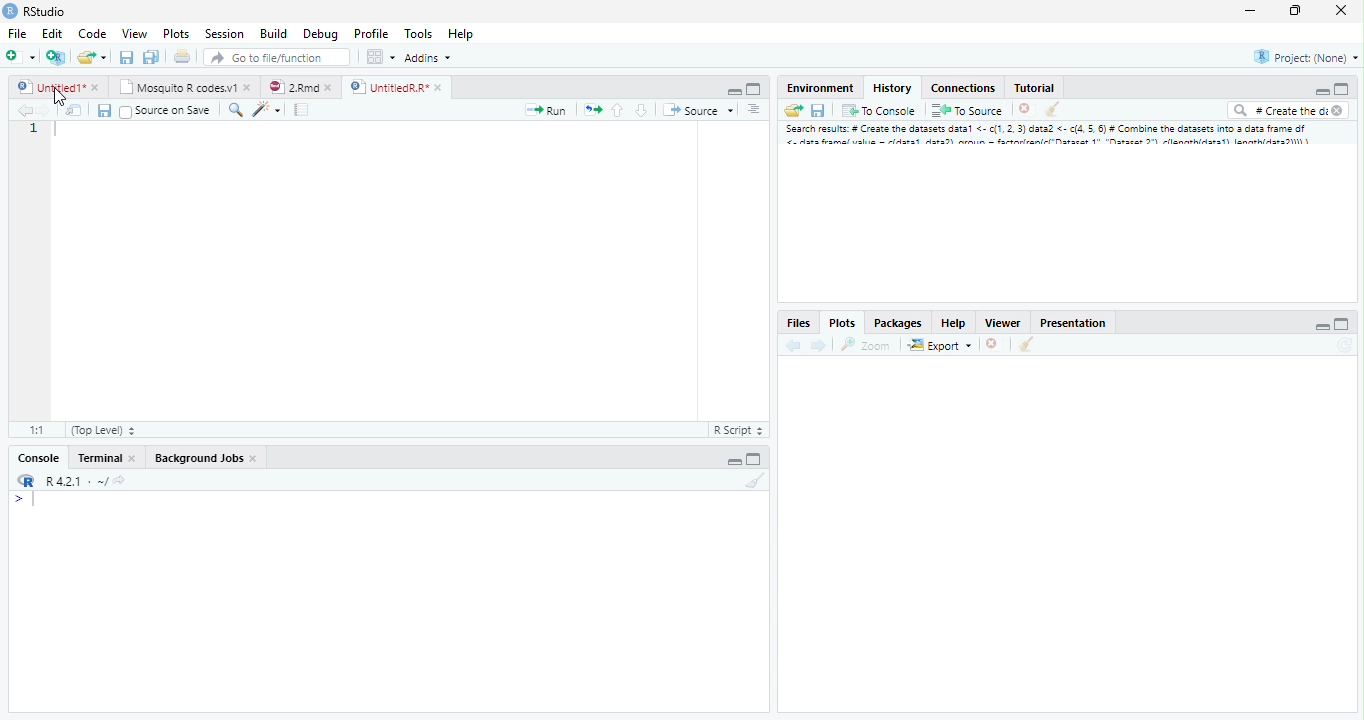  What do you see at coordinates (757, 460) in the screenshot?
I see `Maximize` at bounding box center [757, 460].